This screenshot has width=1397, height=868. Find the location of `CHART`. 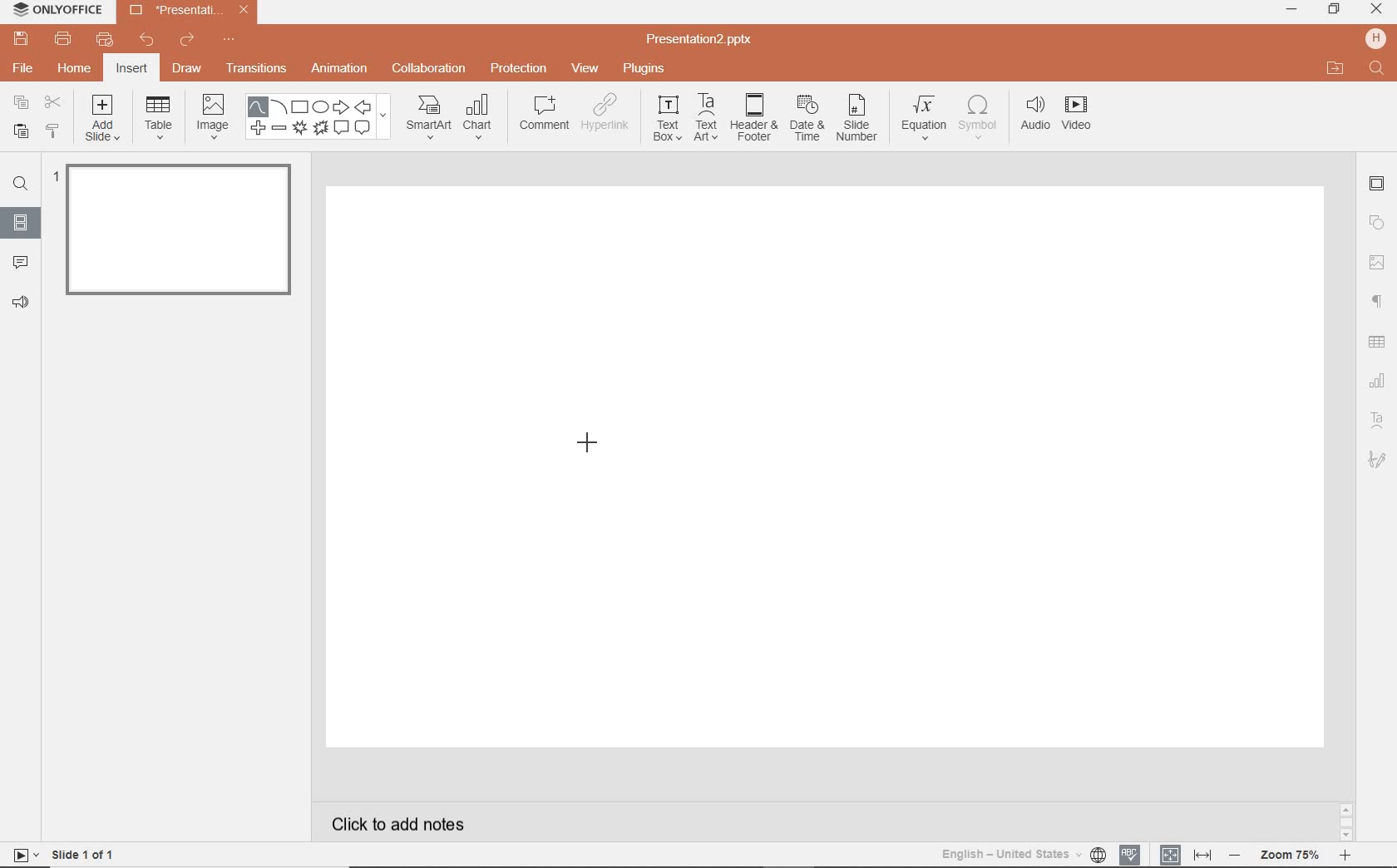

CHART is located at coordinates (481, 119).